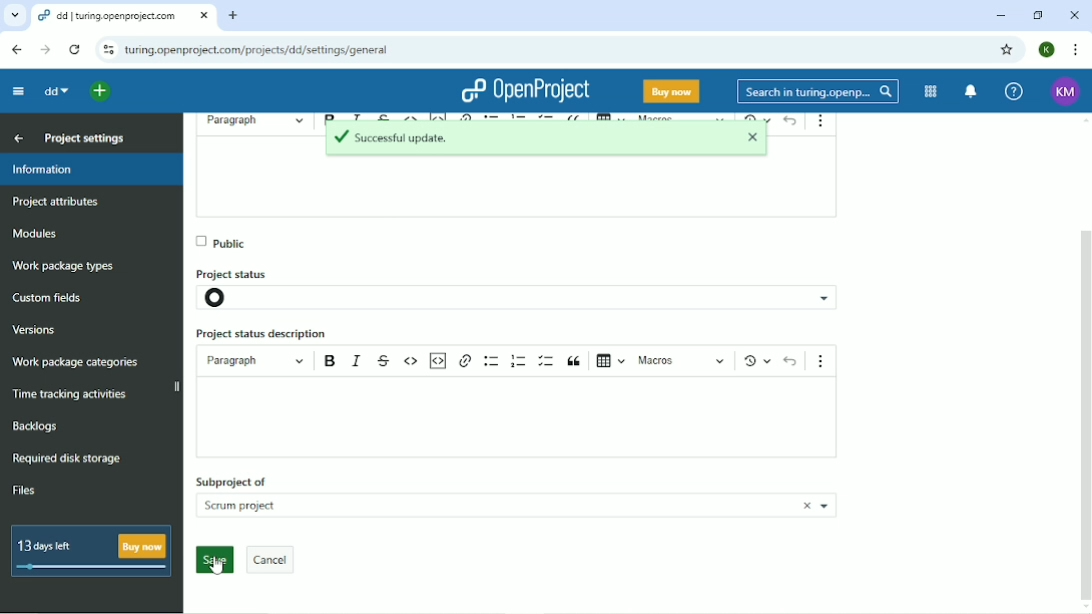 The height and width of the screenshot is (614, 1092). What do you see at coordinates (122, 16) in the screenshot?
I see `dd/turing.openproject.com` at bounding box center [122, 16].